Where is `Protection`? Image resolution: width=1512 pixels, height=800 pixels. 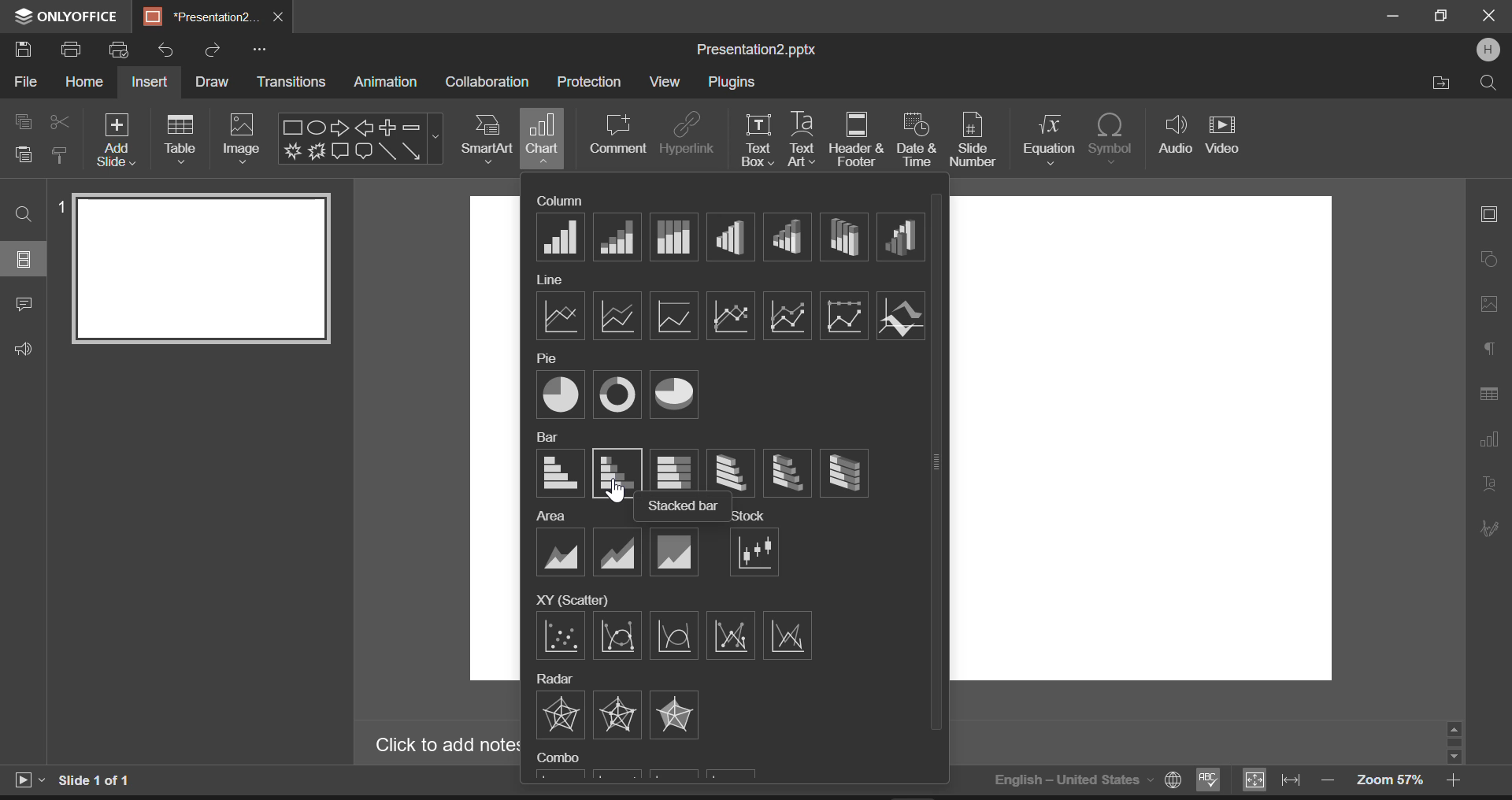
Protection is located at coordinates (592, 81).